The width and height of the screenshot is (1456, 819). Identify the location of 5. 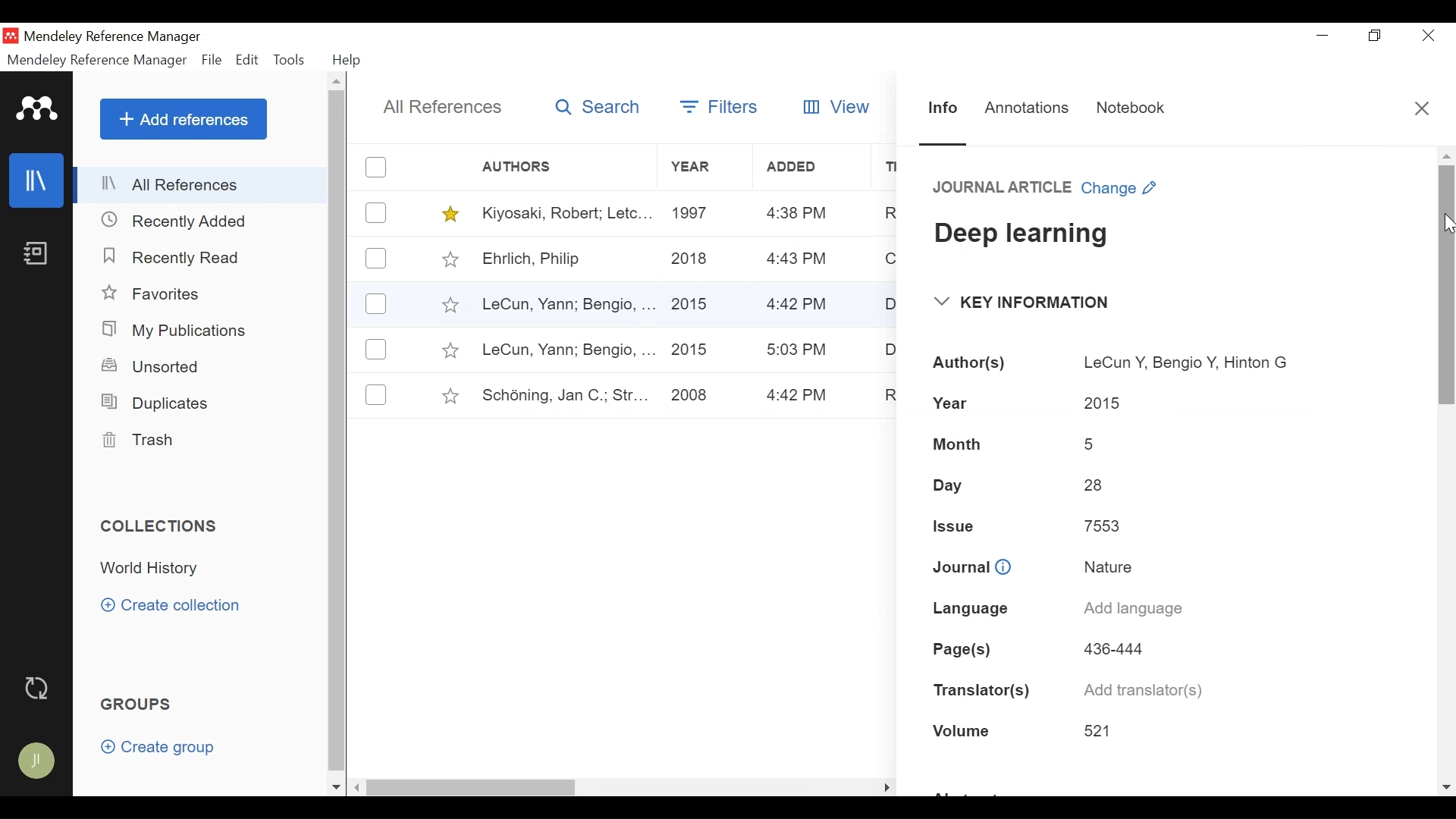
(1092, 445).